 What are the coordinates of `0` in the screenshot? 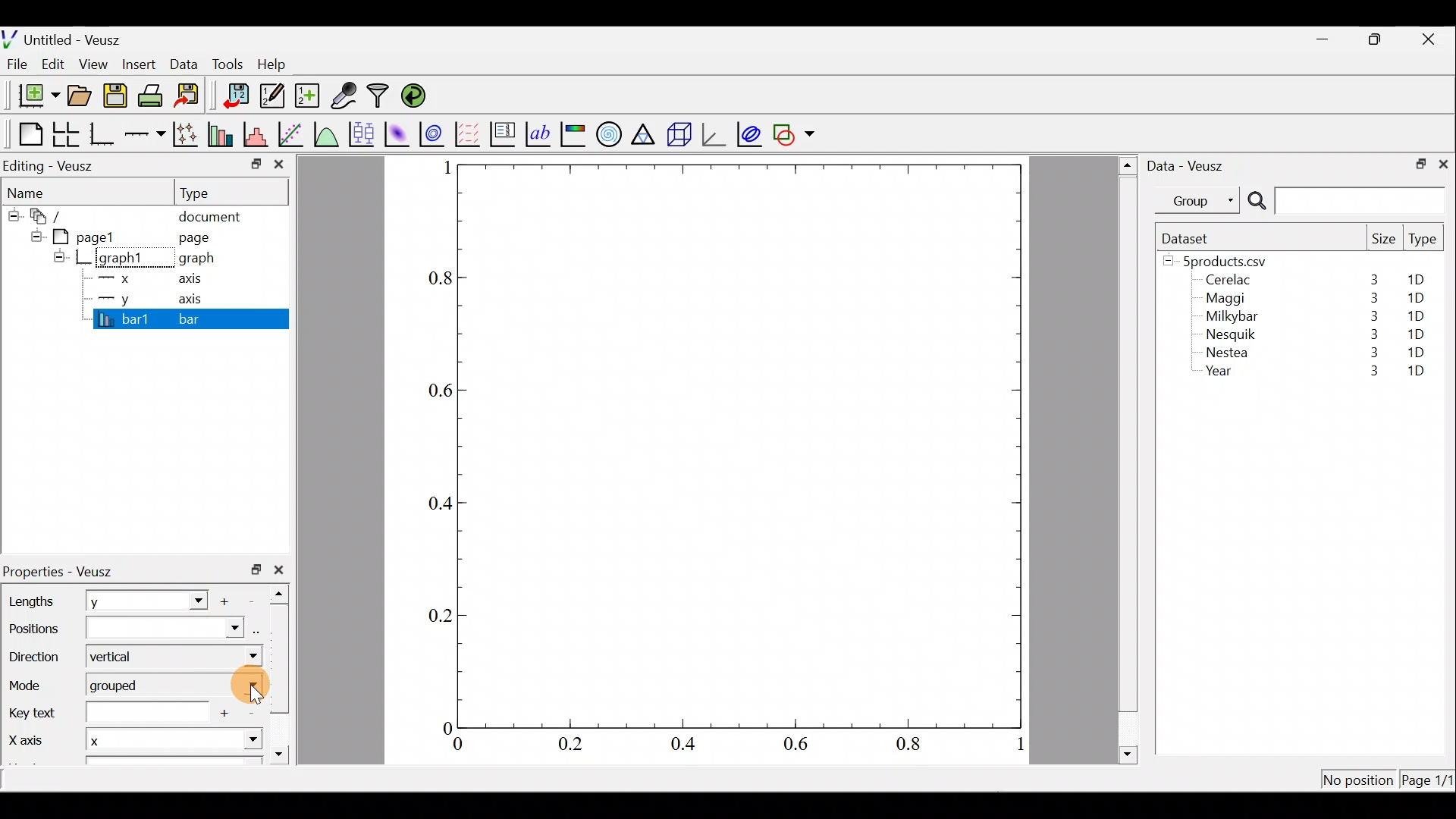 It's located at (445, 727).